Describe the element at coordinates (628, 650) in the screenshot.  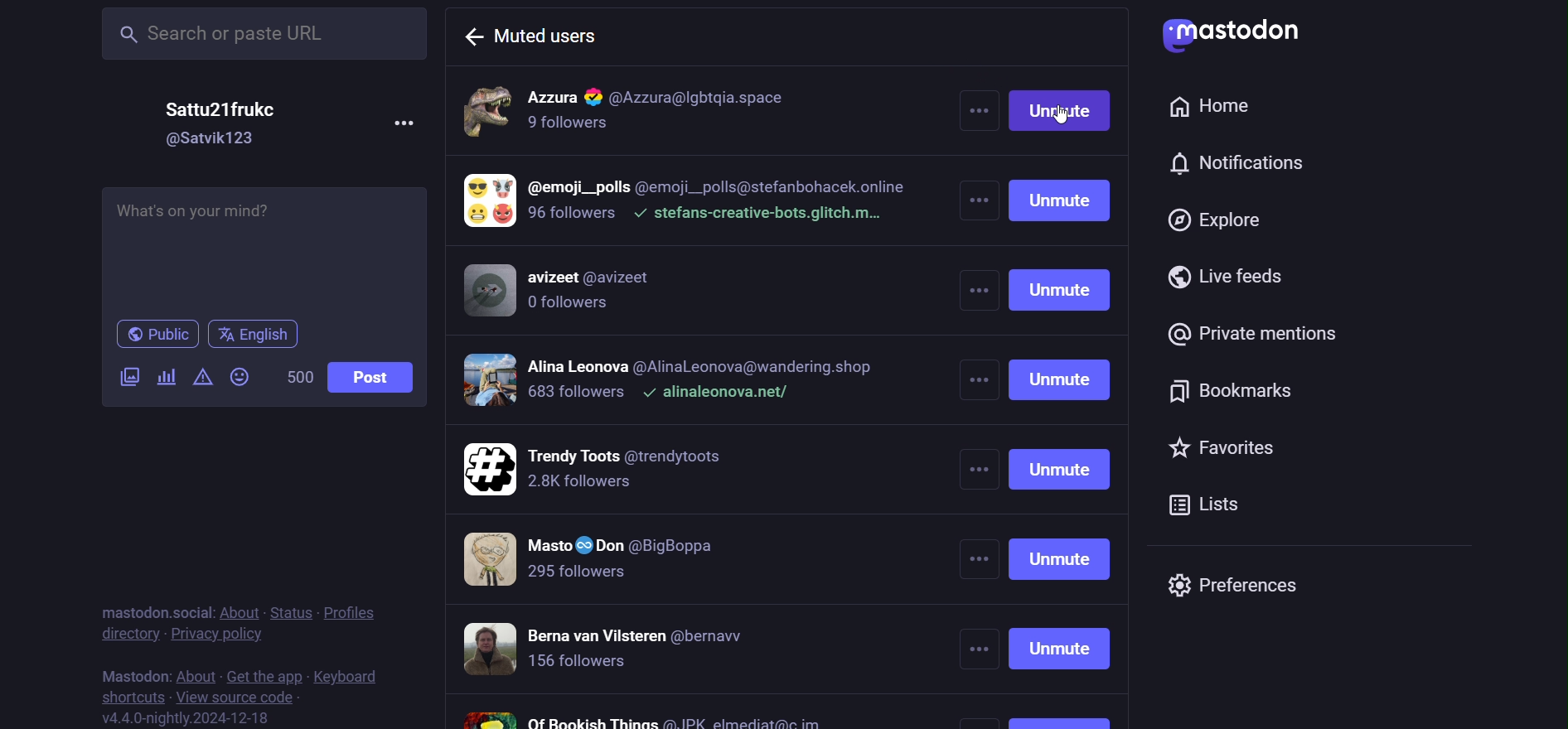
I see `muted user 7` at that location.